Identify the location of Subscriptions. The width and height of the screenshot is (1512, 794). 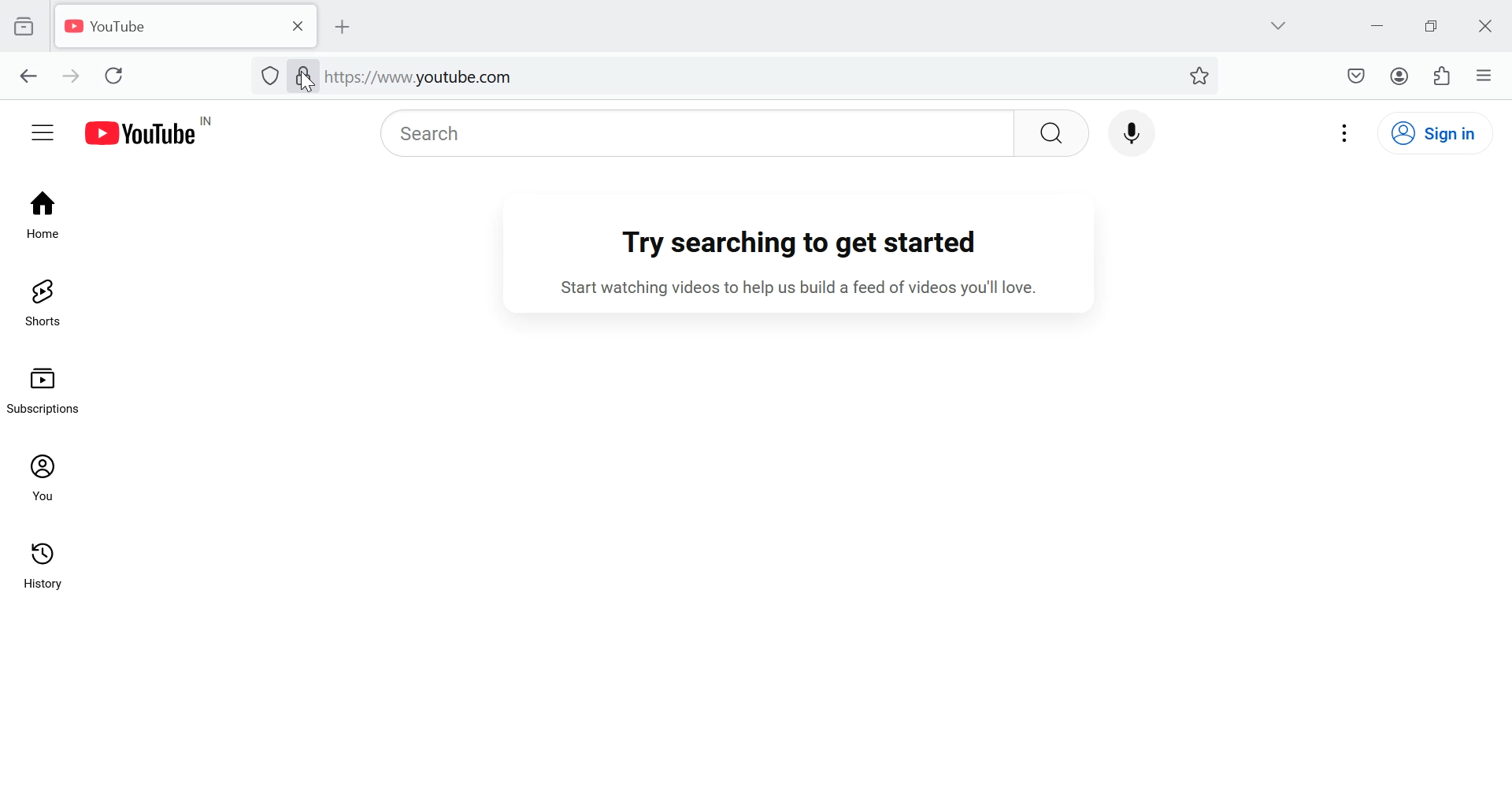
(49, 388).